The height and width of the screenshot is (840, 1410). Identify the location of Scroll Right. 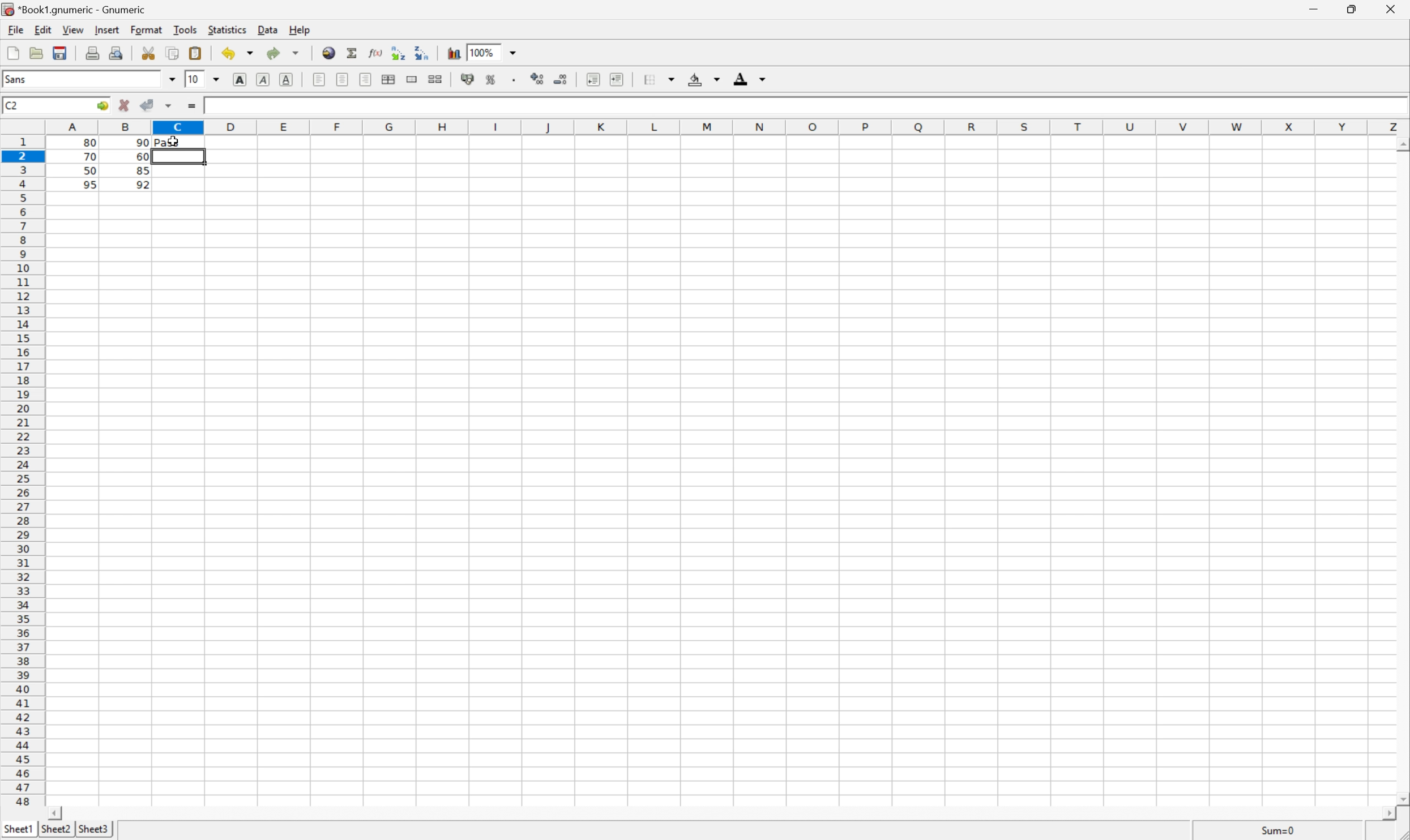
(1385, 813).